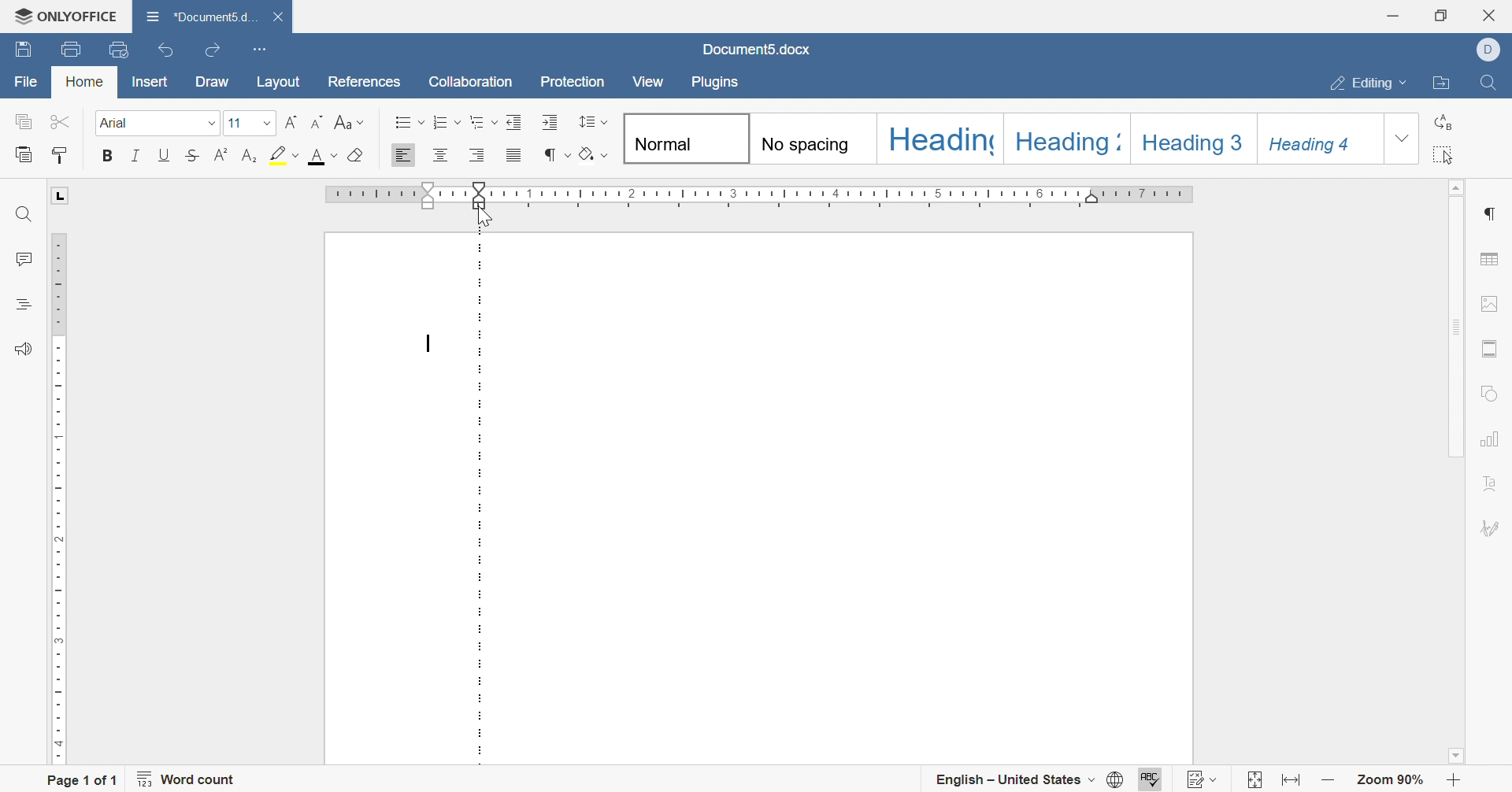 This screenshot has width=1512, height=792. I want to click on quick print, so click(120, 47).